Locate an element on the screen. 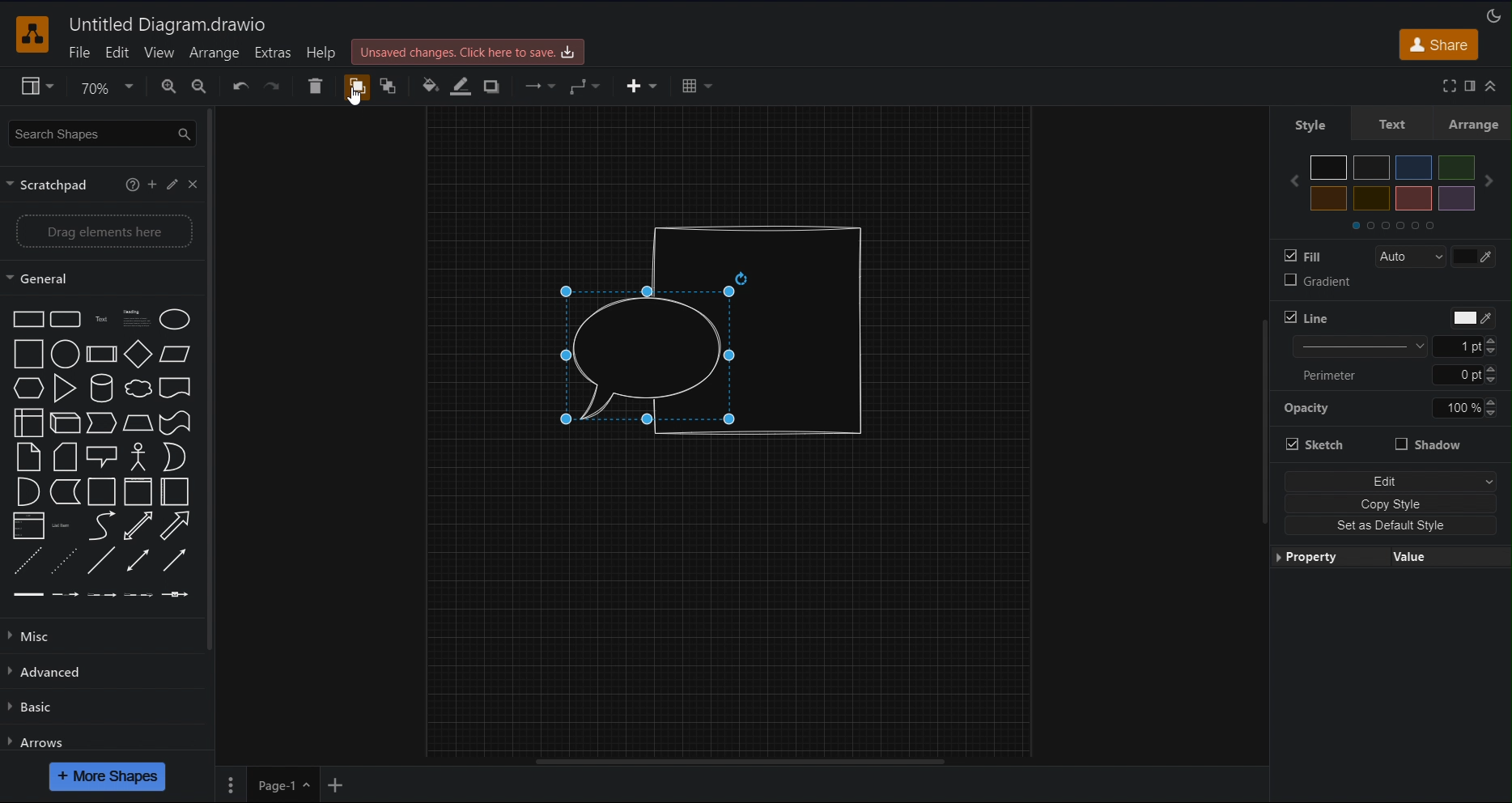 The height and width of the screenshot is (803, 1512). Collapse is located at coordinates (1491, 86).